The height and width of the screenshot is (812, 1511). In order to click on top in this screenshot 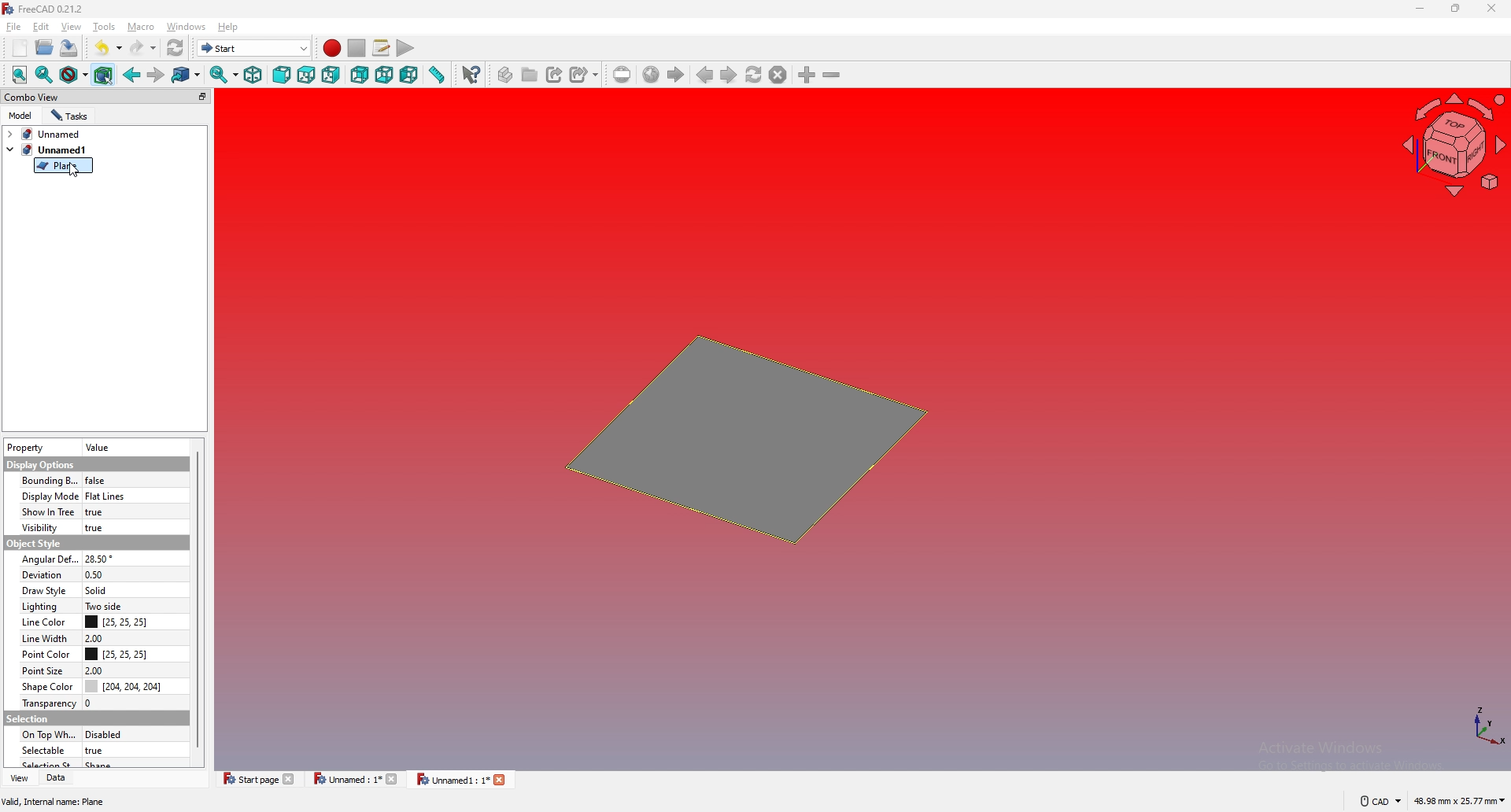, I will do `click(306, 76)`.